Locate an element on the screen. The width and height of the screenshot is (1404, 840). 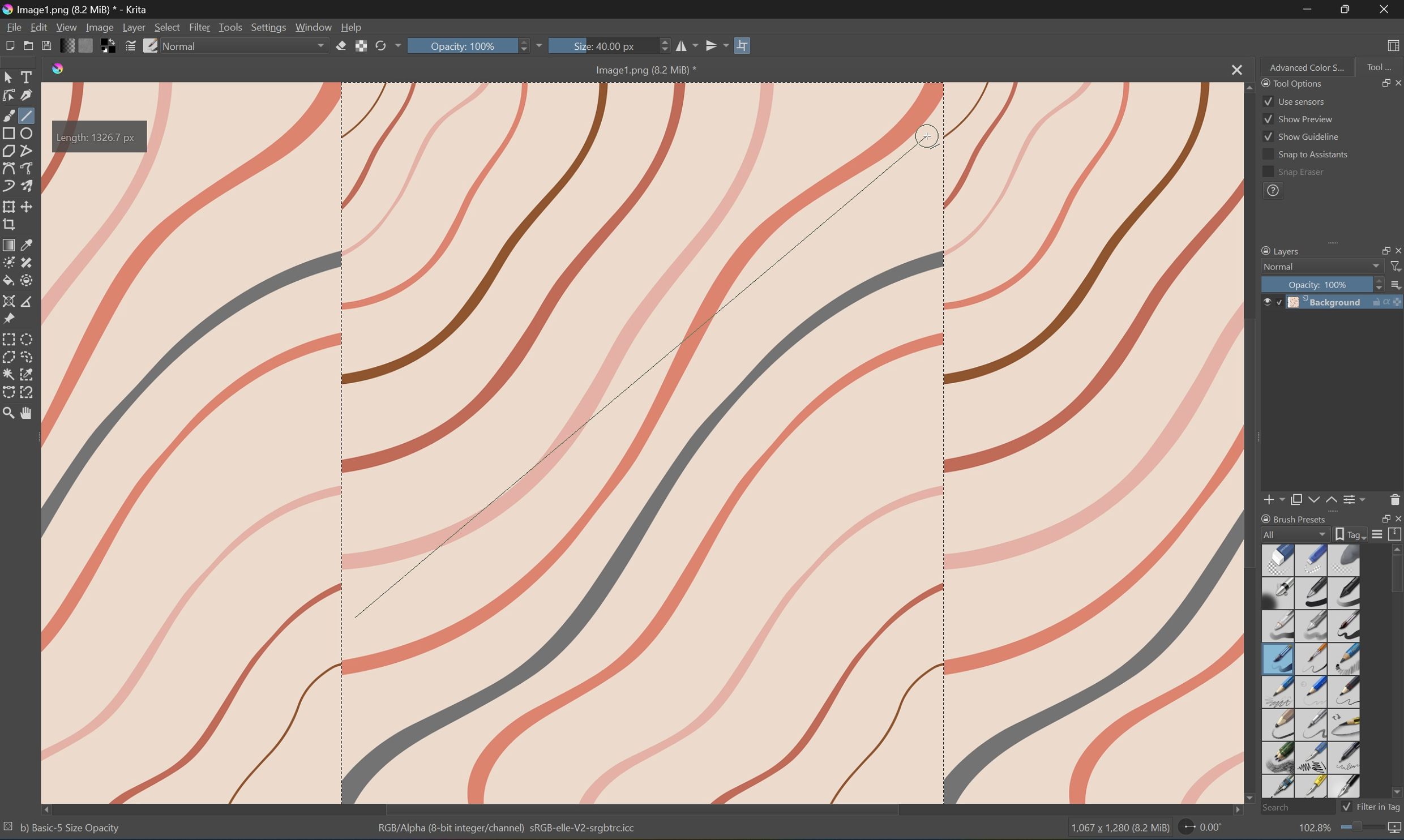
Similar color selection tool is located at coordinates (28, 374).